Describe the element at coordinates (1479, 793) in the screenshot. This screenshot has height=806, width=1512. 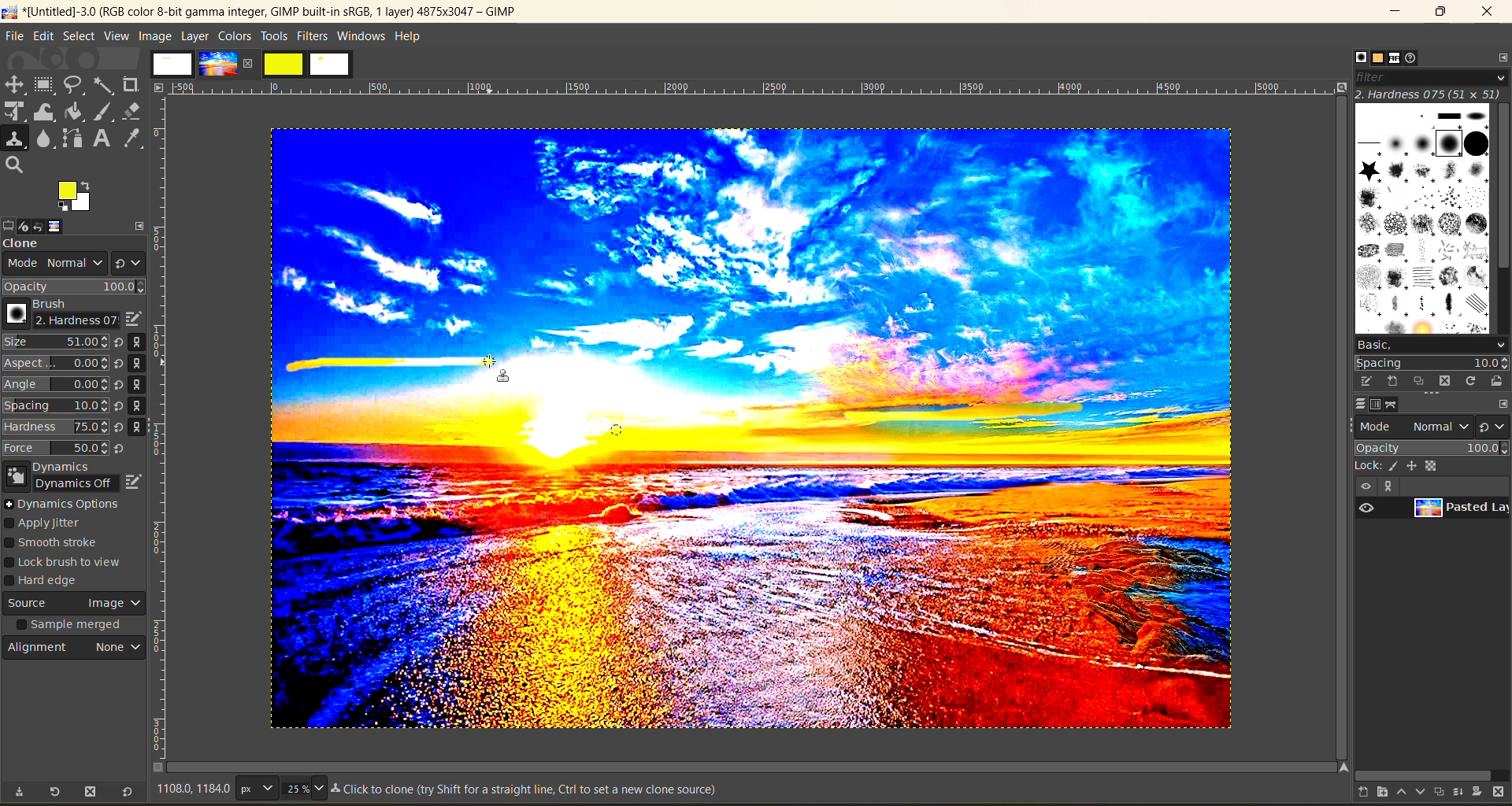
I see `add a mask` at that location.